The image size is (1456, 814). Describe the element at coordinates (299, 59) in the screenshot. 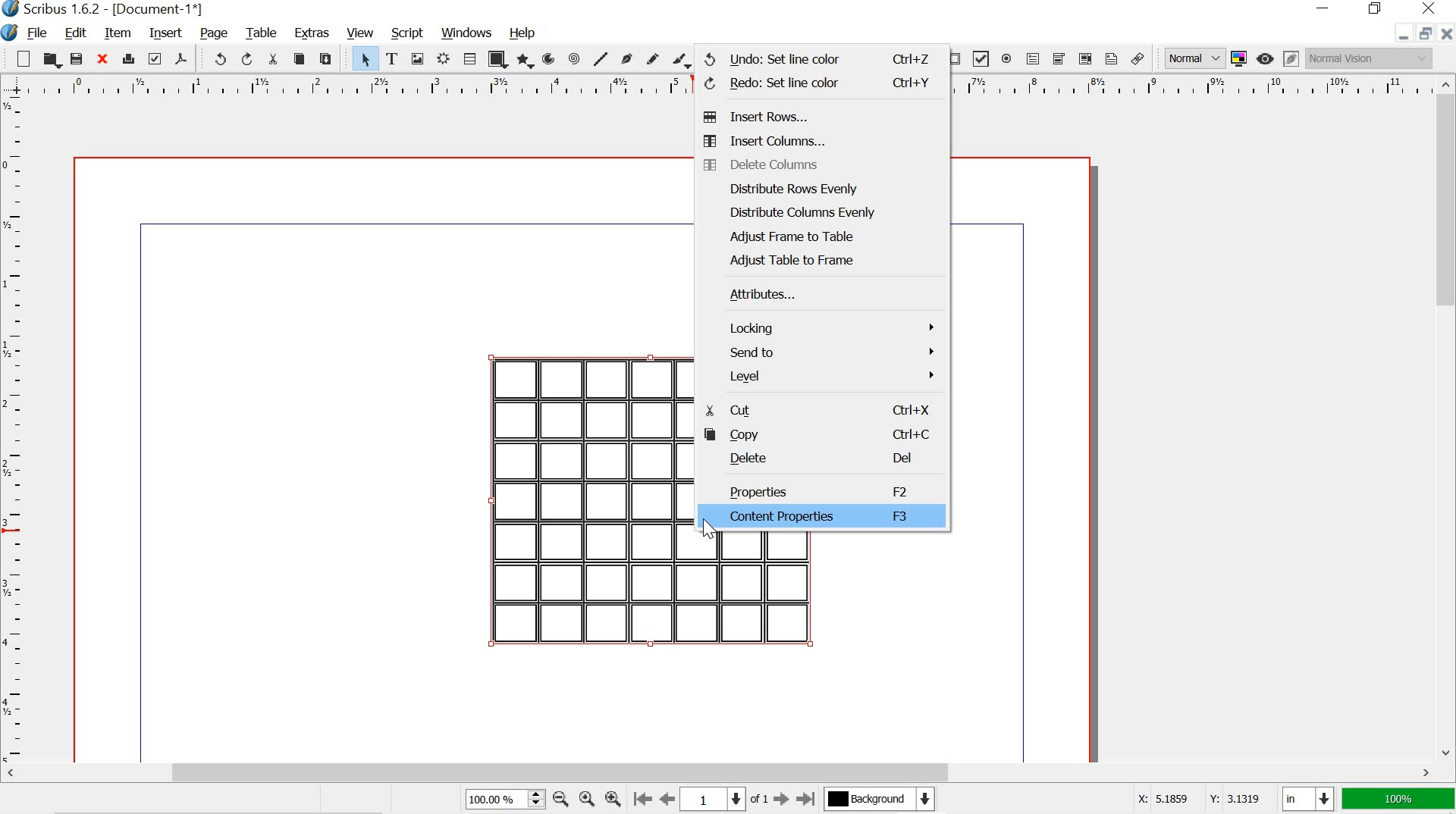

I see `copy` at that location.